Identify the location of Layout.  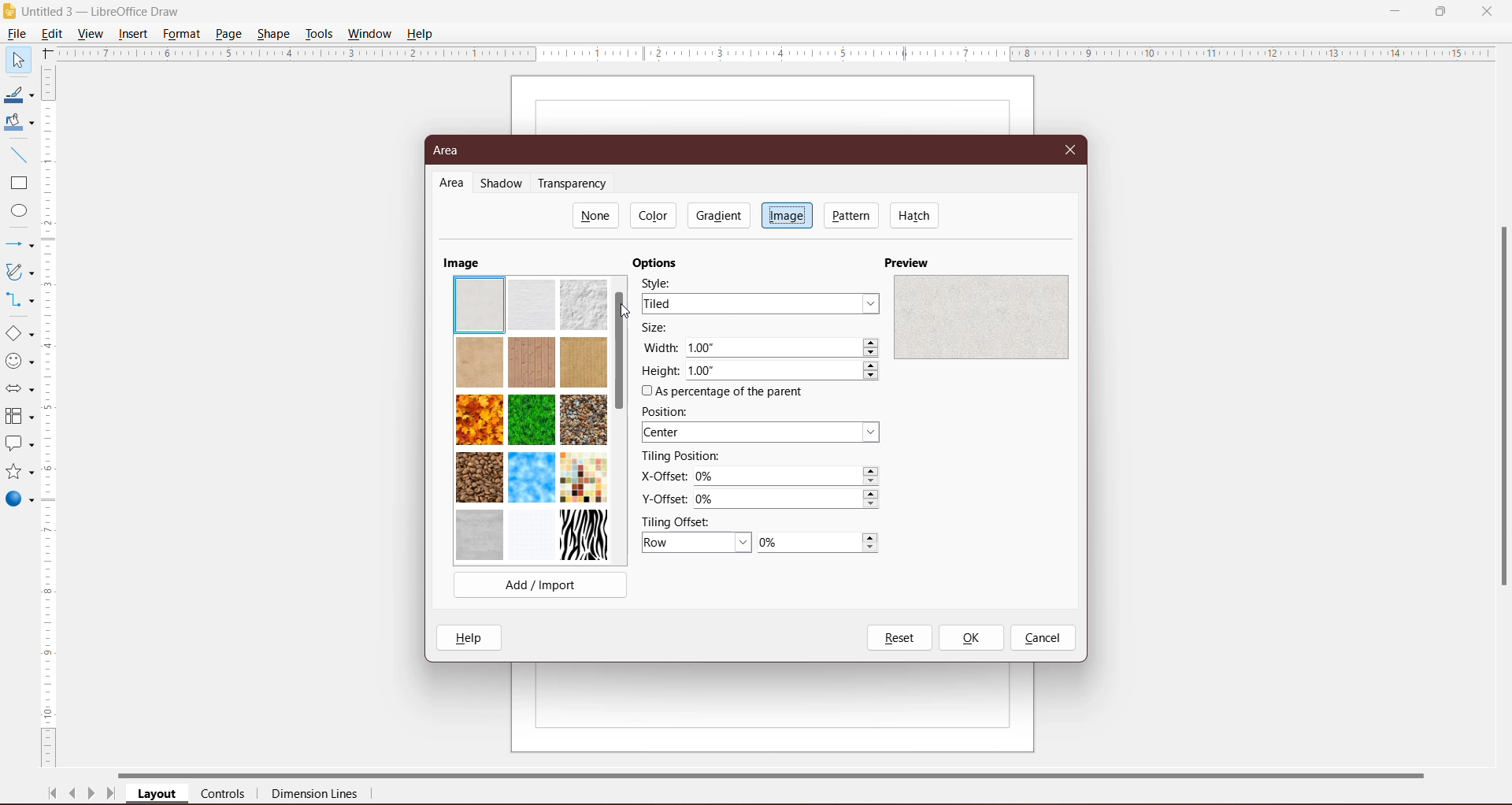
(158, 795).